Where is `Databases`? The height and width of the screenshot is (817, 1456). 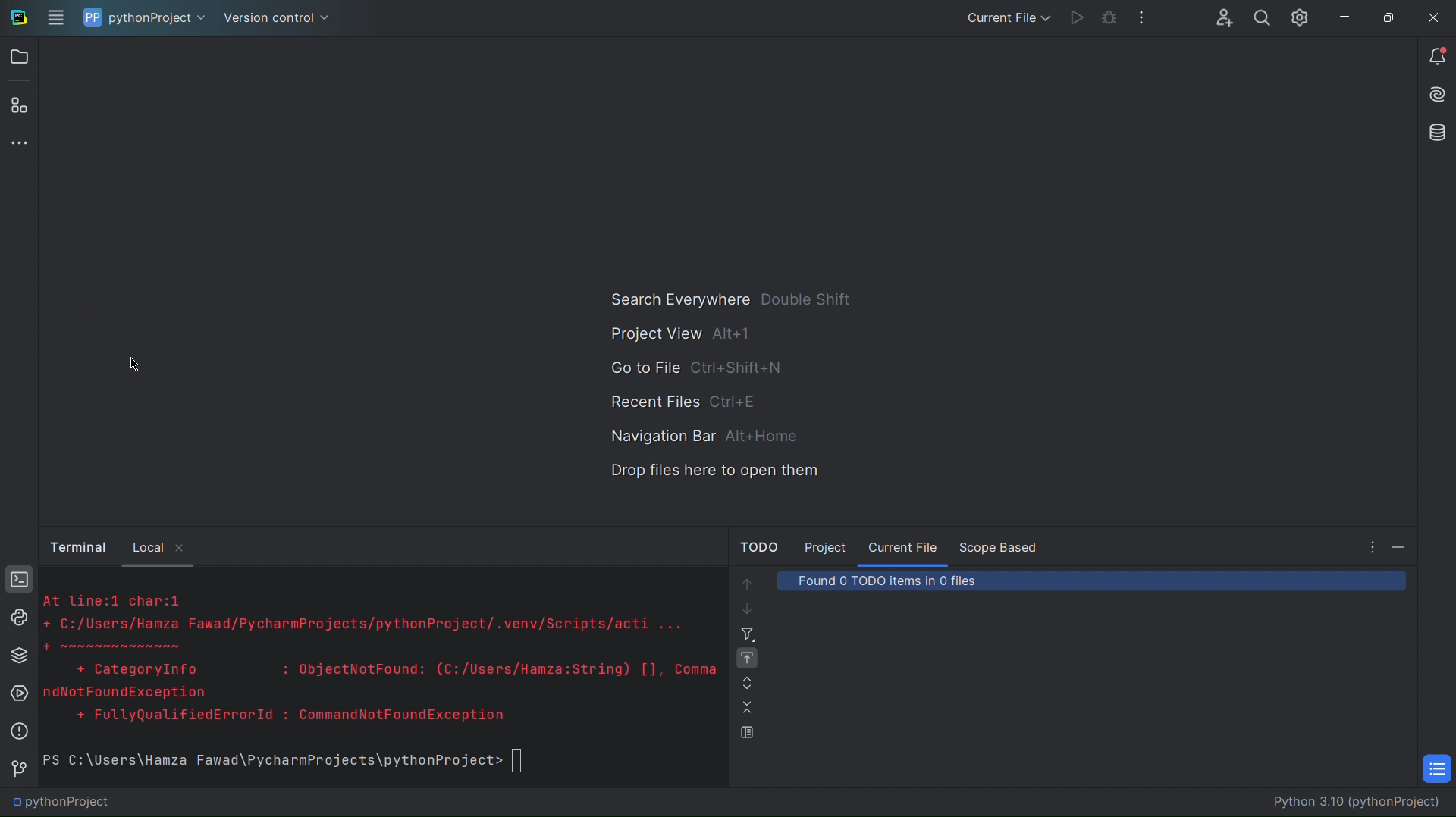 Databases is located at coordinates (1435, 134).